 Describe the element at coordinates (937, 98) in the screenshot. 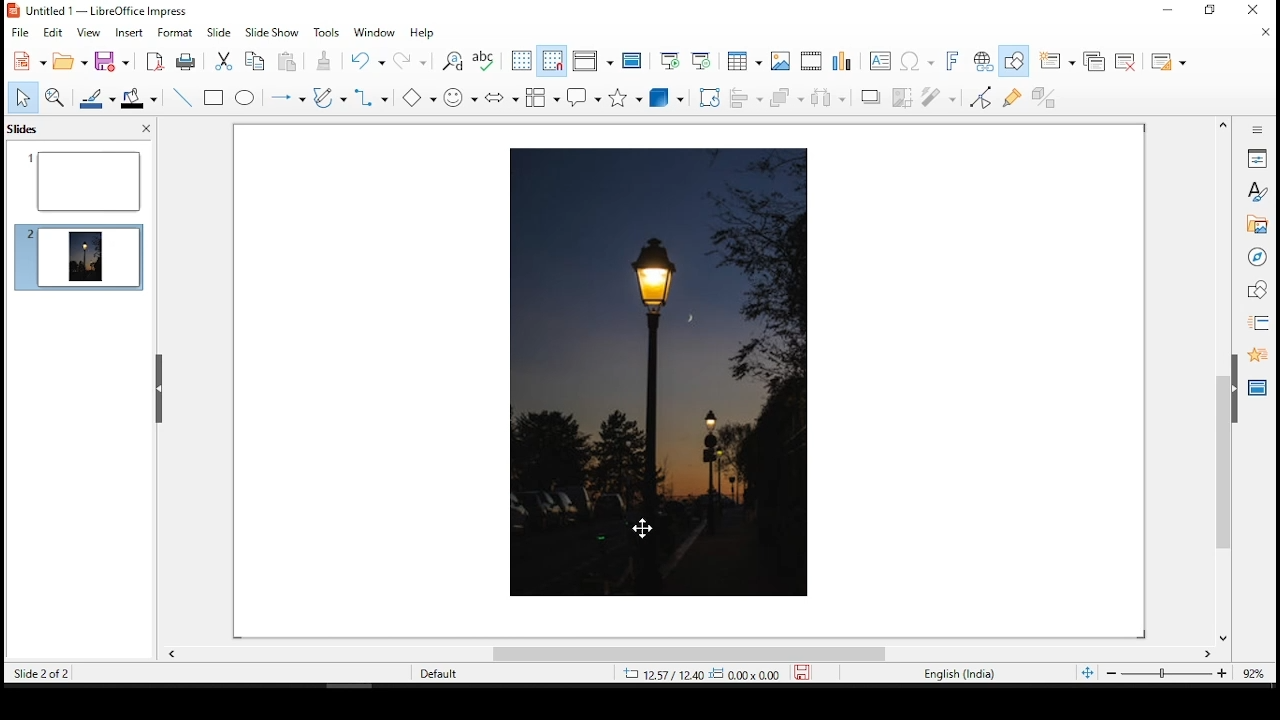

I see `filter` at that location.